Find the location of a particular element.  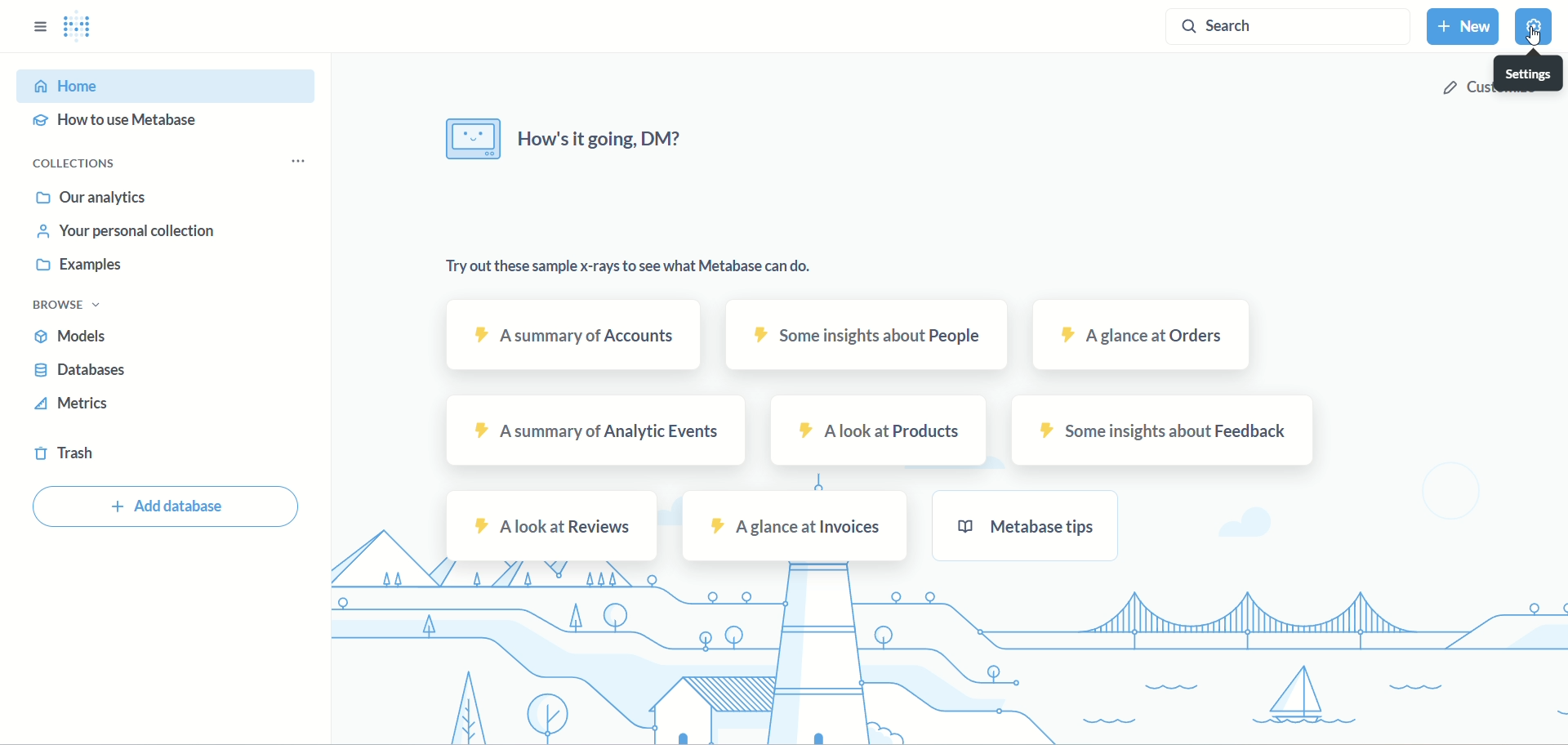

Cursor is located at coordinates (1526, 42).